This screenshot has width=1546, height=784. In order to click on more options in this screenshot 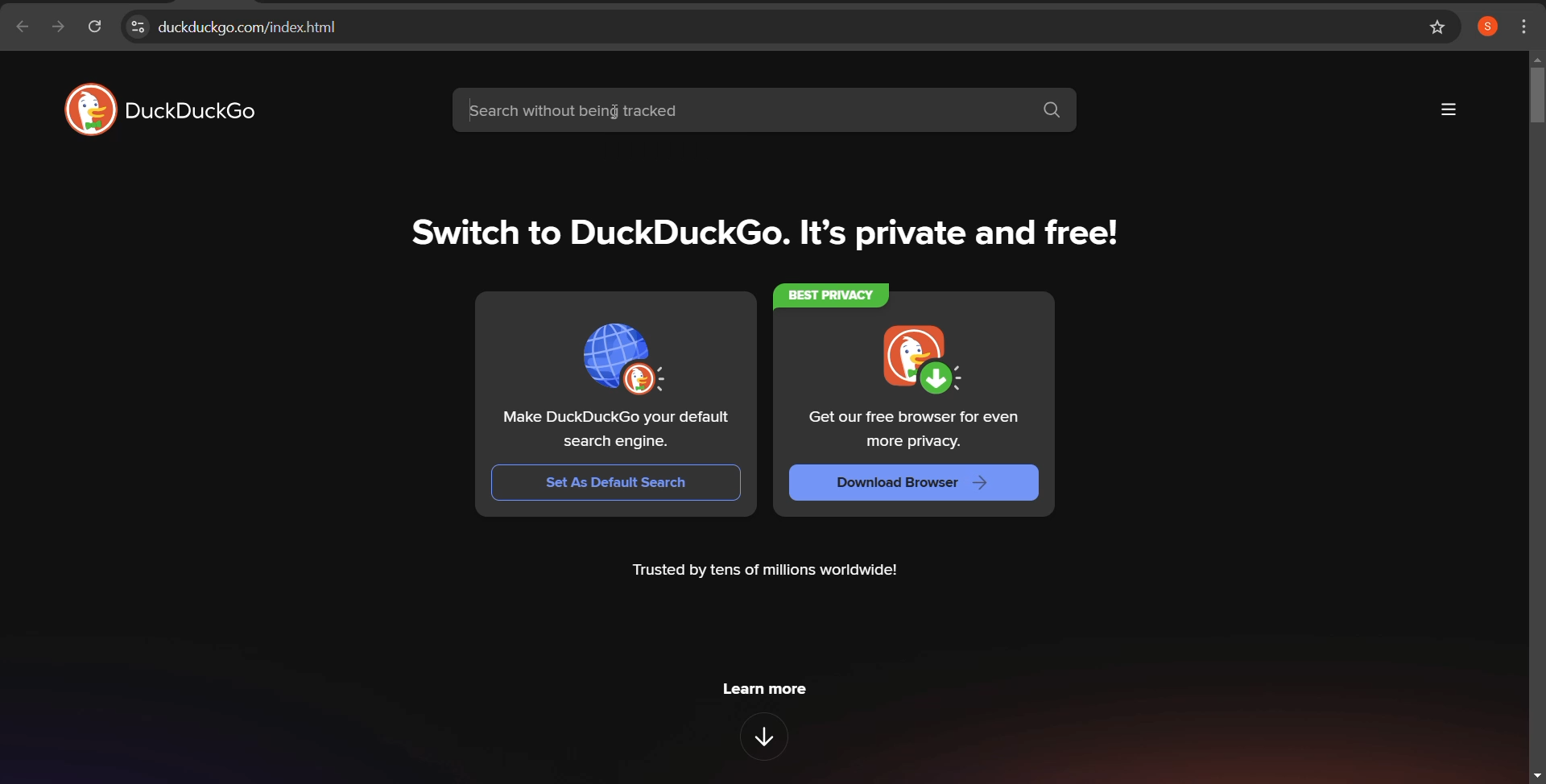, I will do `click(1447, 110)`.